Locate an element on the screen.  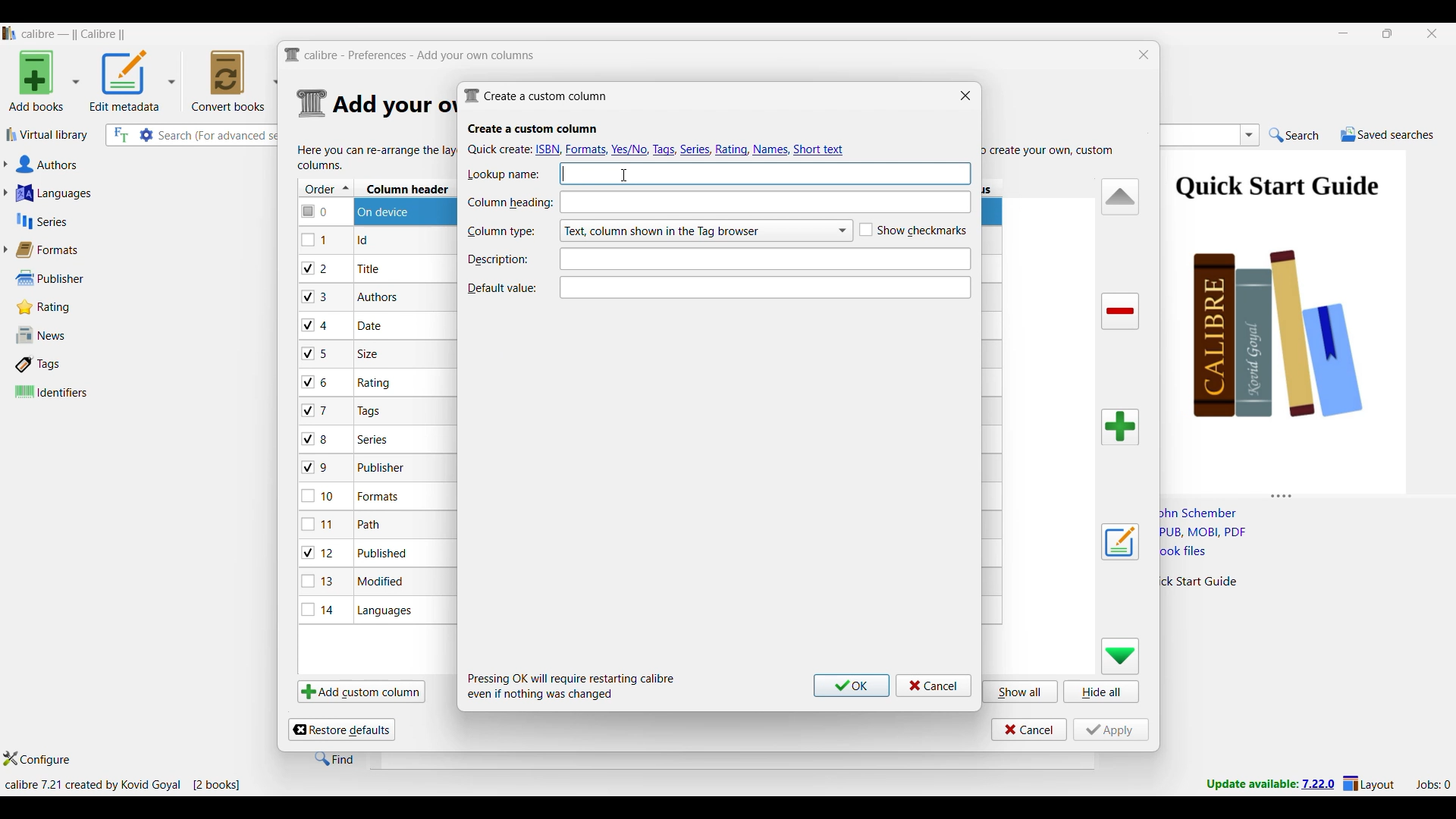
Options to edit metadata is located at coordinates (133, 80).